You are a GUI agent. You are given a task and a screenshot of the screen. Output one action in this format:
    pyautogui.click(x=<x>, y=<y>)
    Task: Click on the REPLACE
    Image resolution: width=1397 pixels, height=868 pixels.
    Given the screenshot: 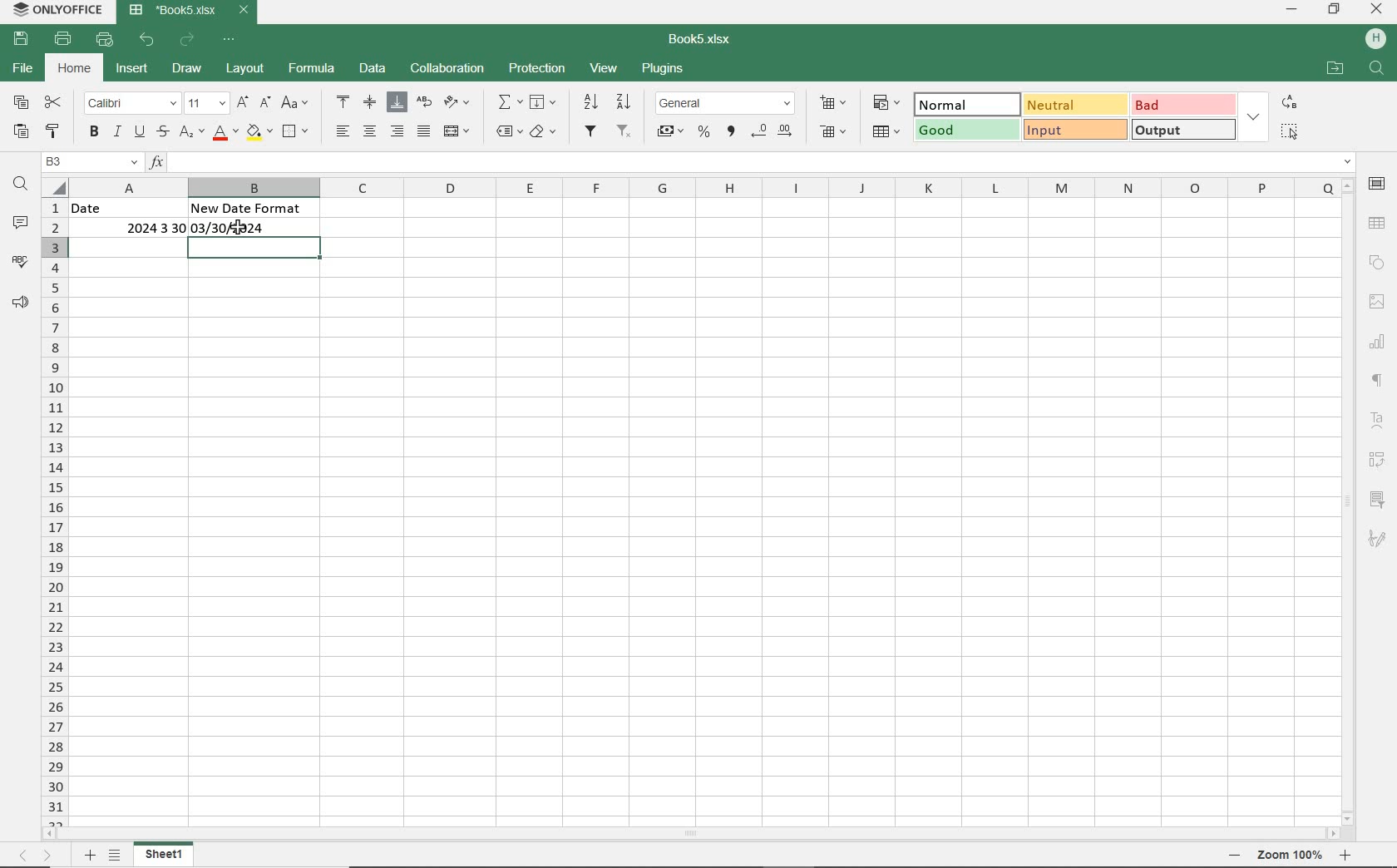 What is the action you would take?
    pyautogui.click(x=1289, y=103)
    